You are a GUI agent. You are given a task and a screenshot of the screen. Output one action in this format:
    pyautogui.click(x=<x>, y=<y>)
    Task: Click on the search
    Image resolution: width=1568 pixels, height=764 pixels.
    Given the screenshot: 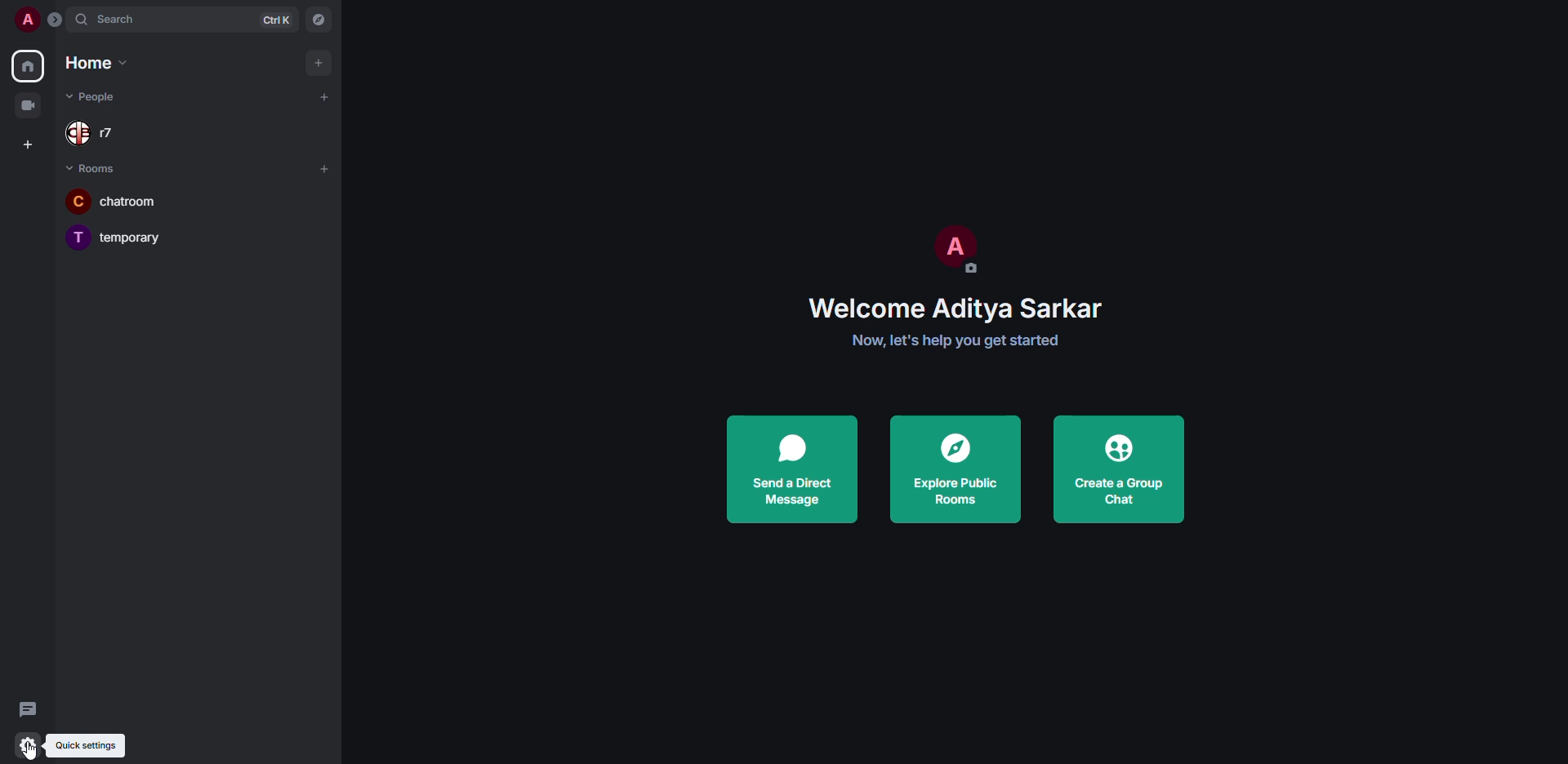 What is the action you would take?
    pyautogui.click(x=121, y=18)
    